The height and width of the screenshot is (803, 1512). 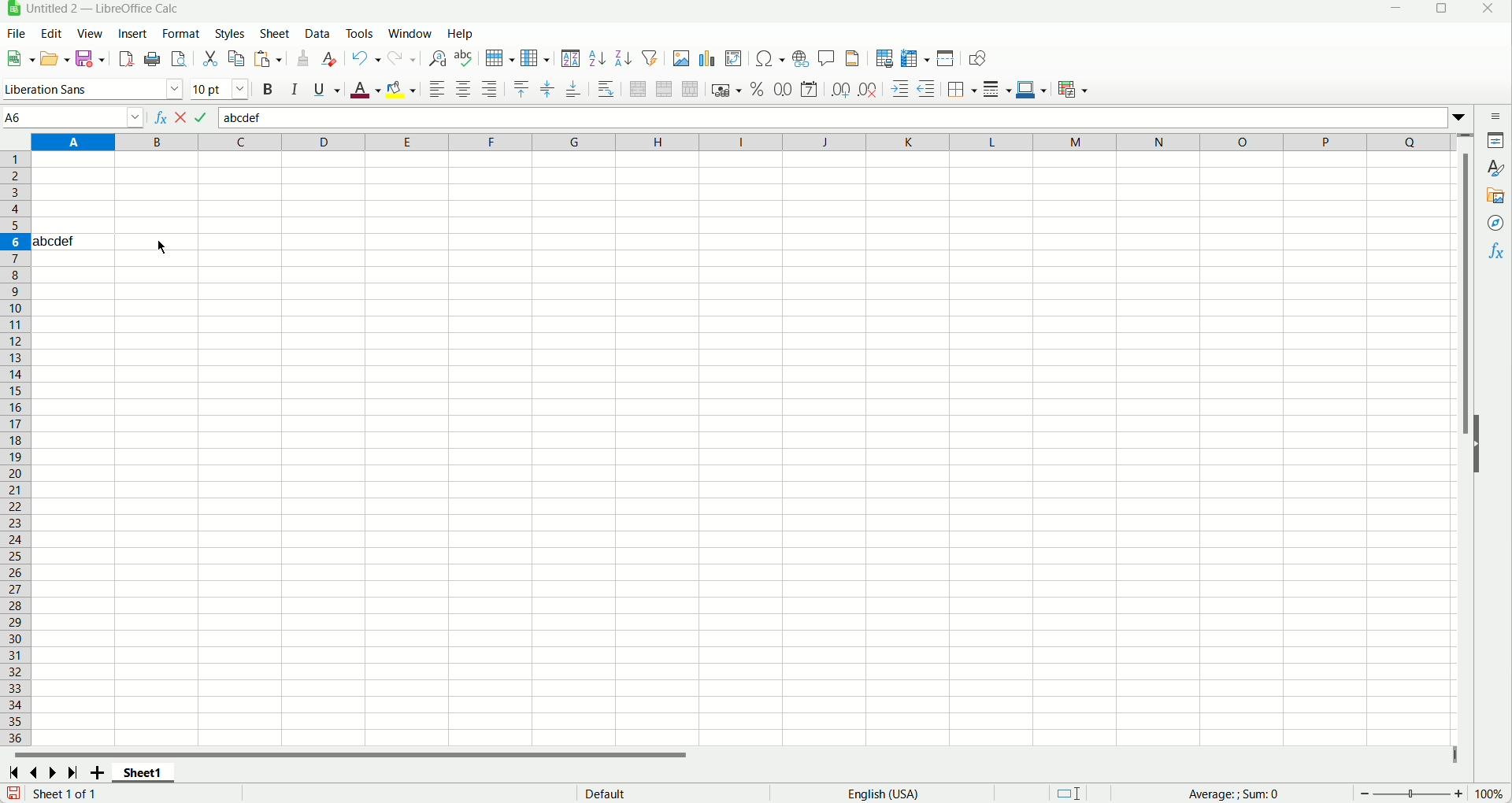 I want to click on font size, so click(x=221, y=88).